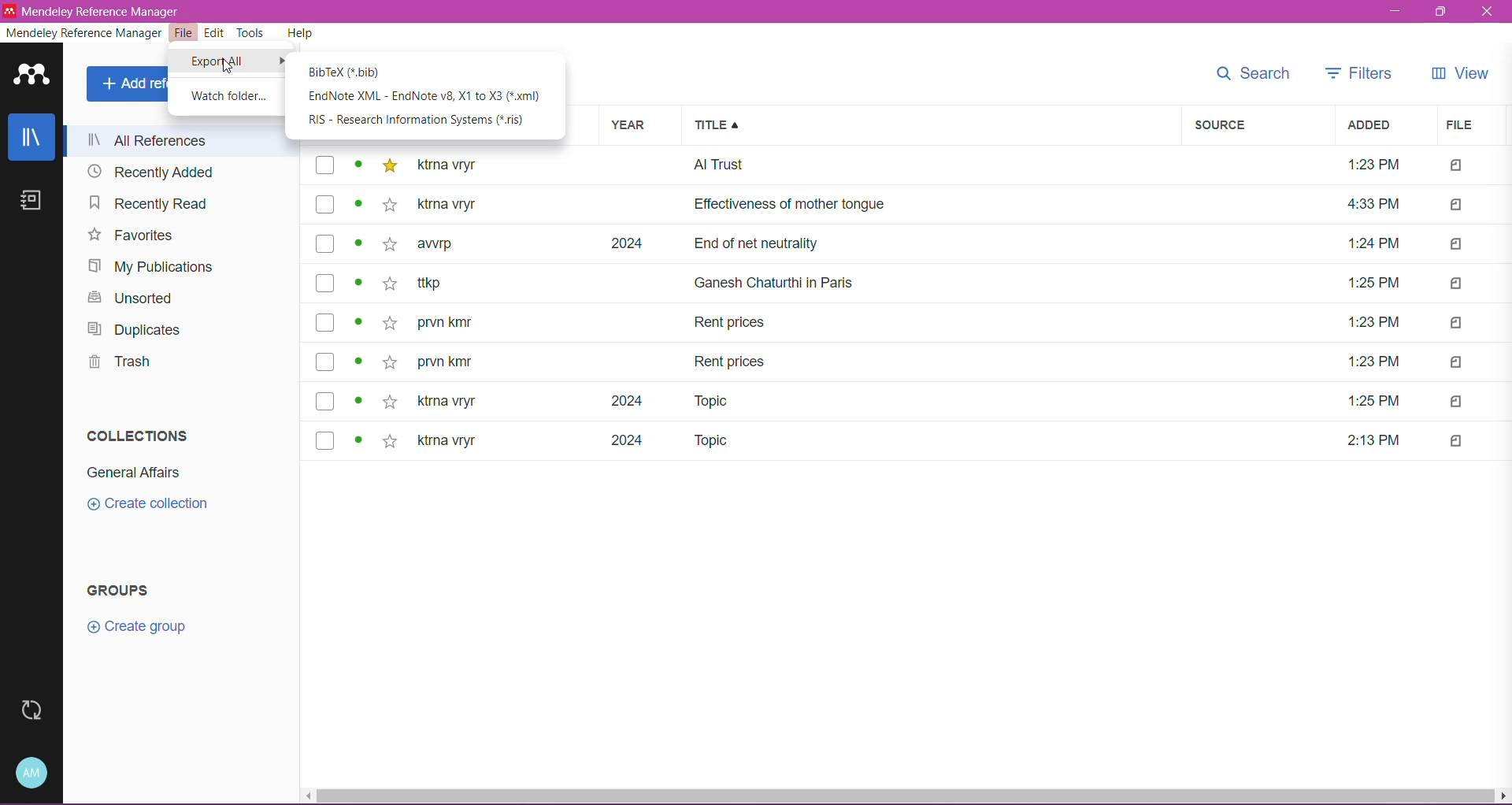  I want to click on File, so click(185, 33).